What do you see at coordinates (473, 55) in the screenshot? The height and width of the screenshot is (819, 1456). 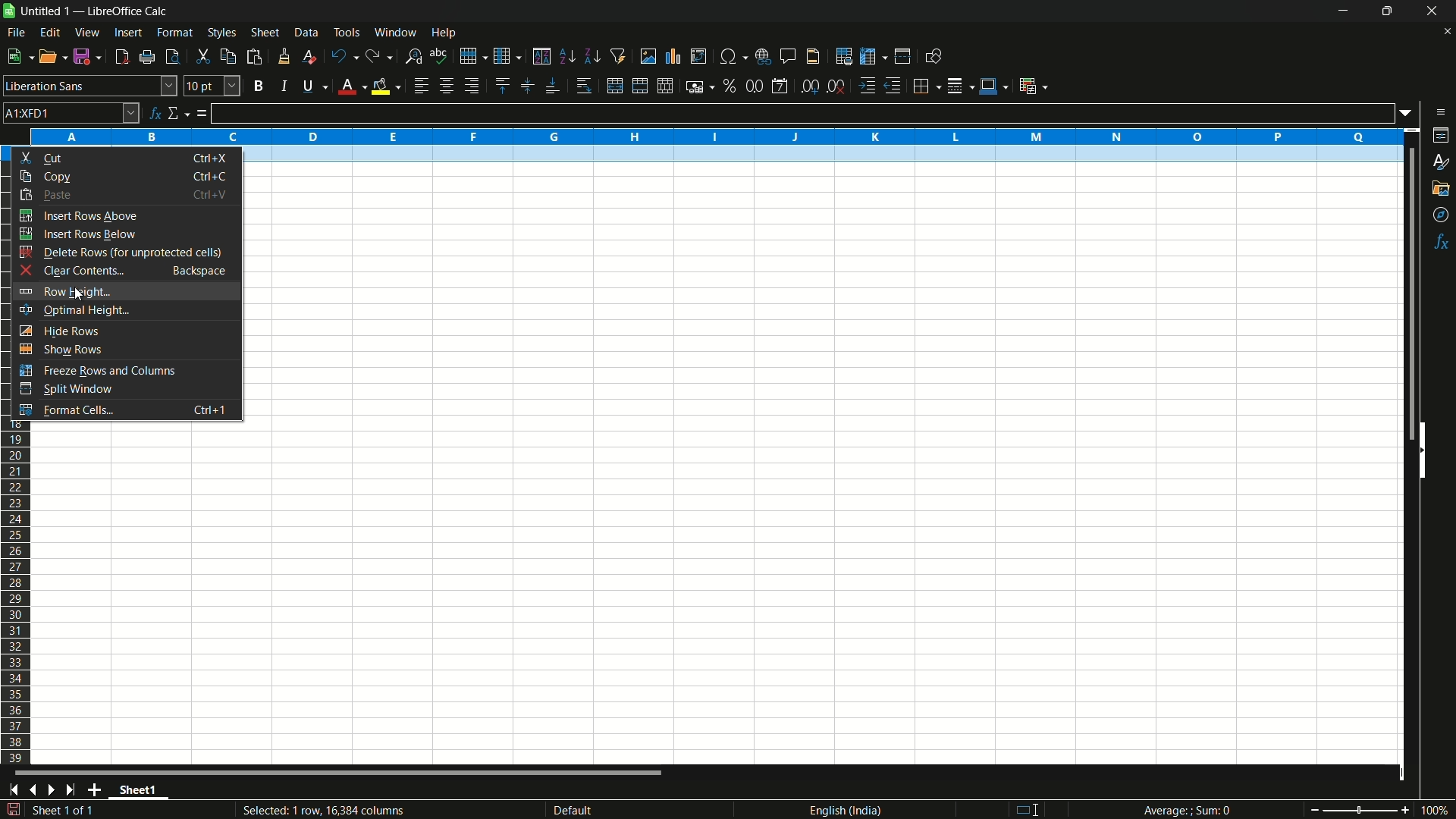 I see `row` at bounding box center [473, 55].